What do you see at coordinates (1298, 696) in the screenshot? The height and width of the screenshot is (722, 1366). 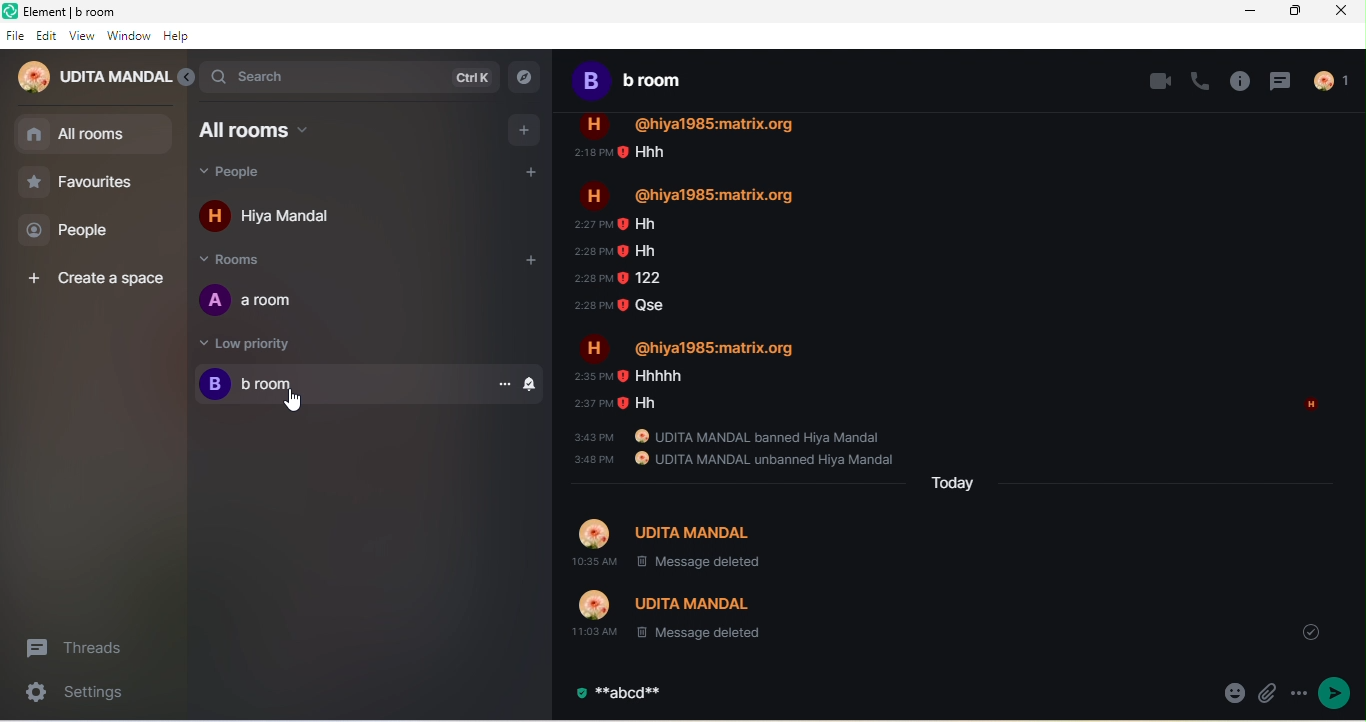 I see `option` at bounding box center [1298, 696].